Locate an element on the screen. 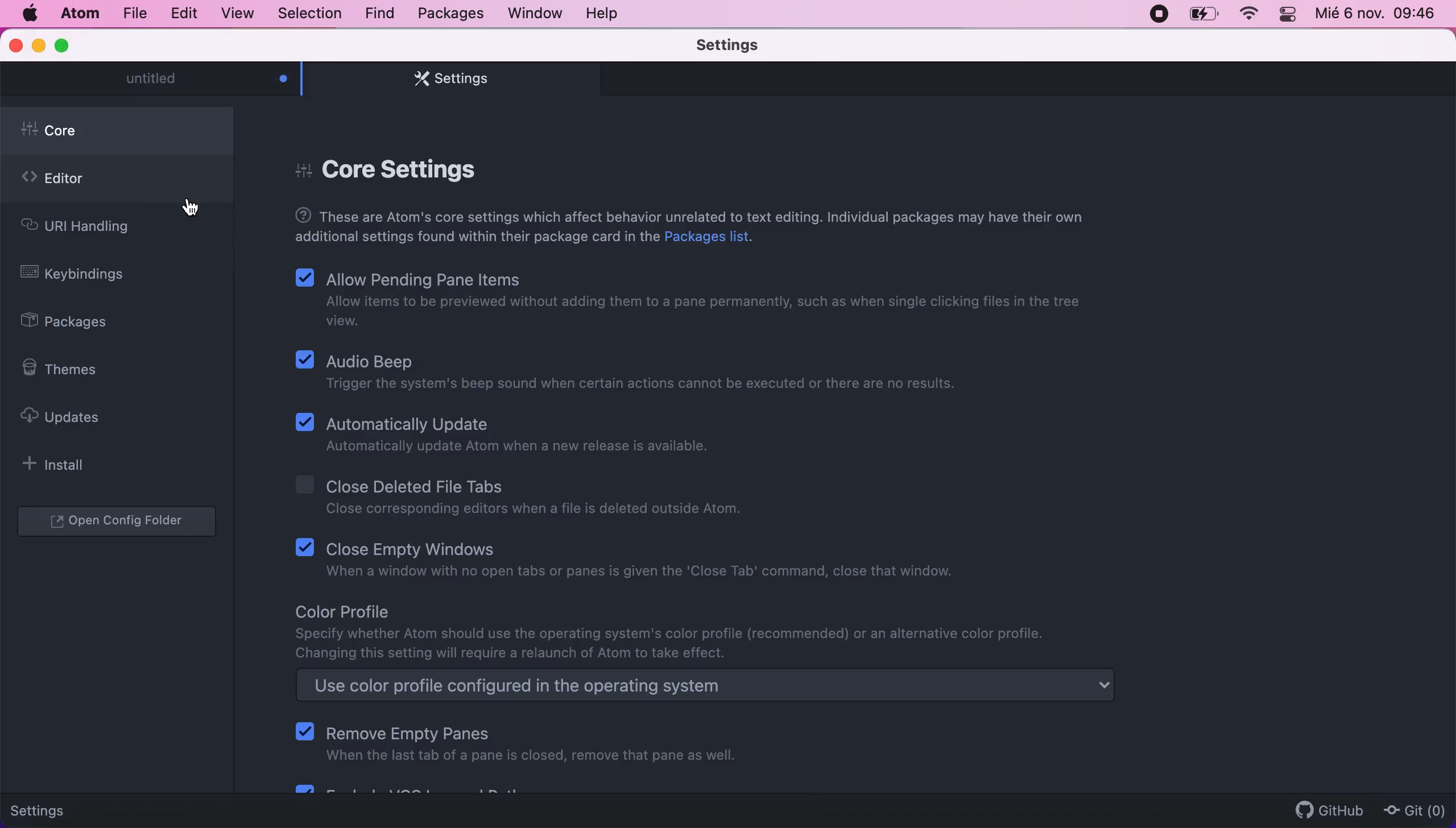 The height and width of the screenshot is (828, 1456). Allow Pending Pane Items | Allow items to be previewed without adding them to a pane permanently, such as when single clicking files in the tree view. is located at coordinates (708, 300).